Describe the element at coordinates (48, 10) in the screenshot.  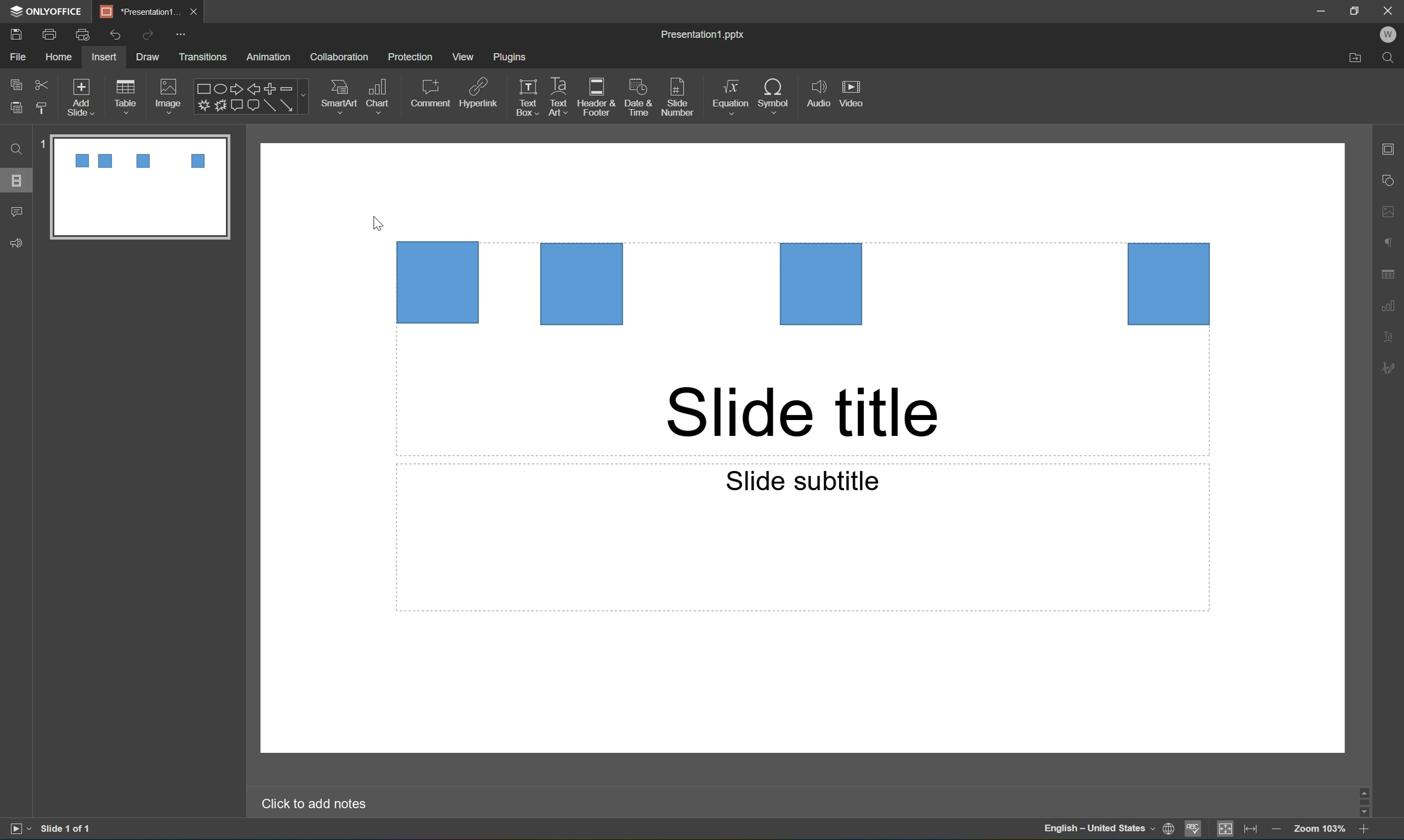
I see `ONLYOFFICE` at that location.